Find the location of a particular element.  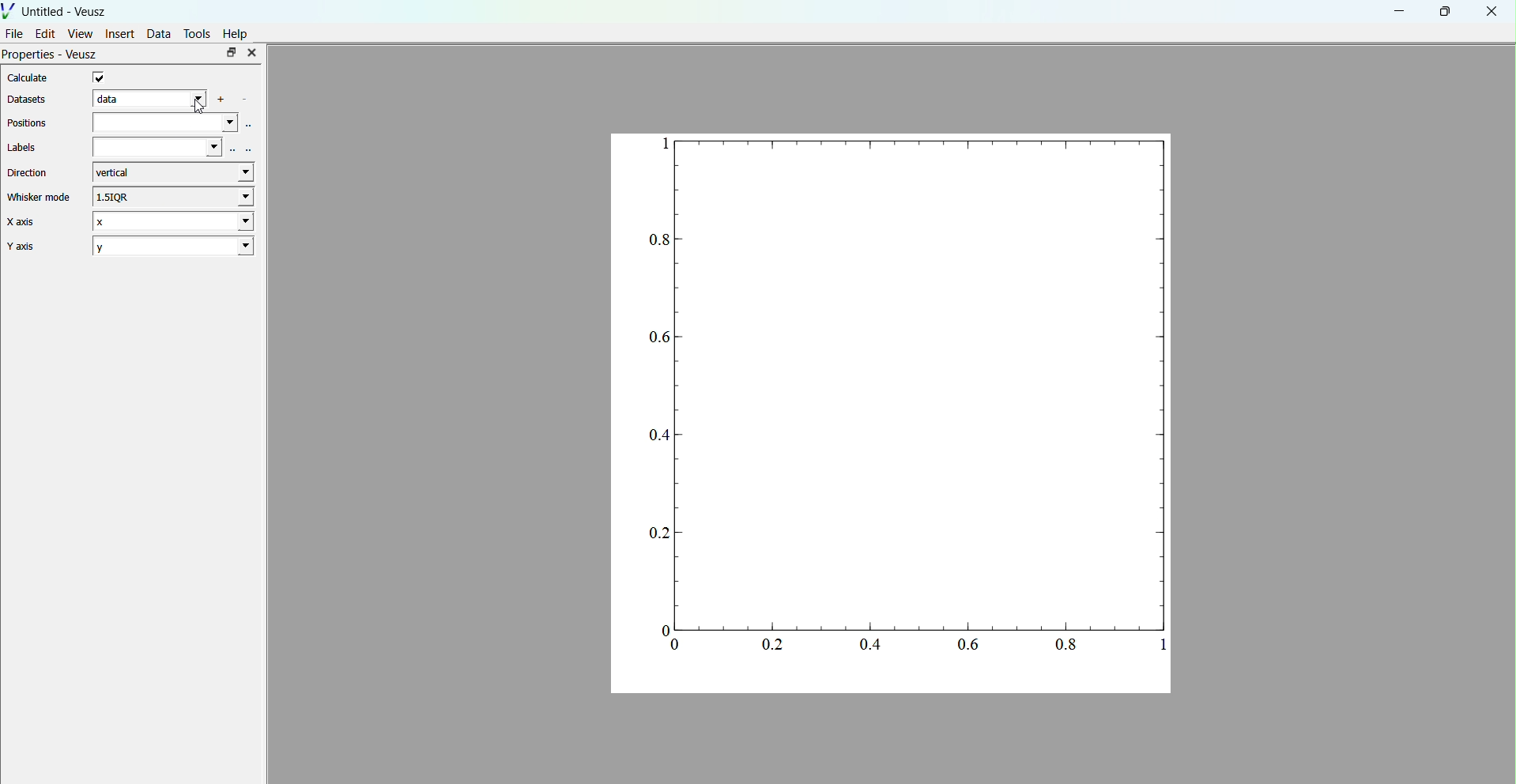

Calculate is located at coordinates (32, 80).